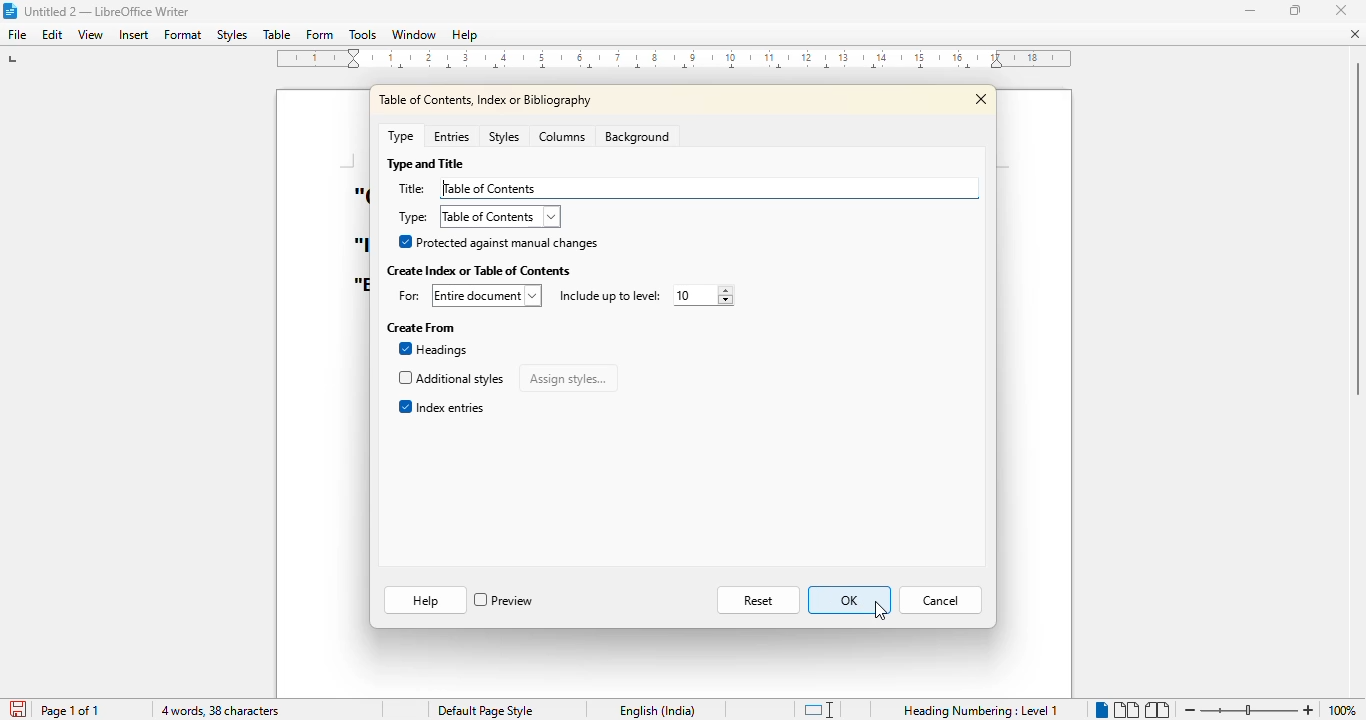 This screenshot has height=720, width=1366. I want to click on create index of table of contents, so click(479, 271).